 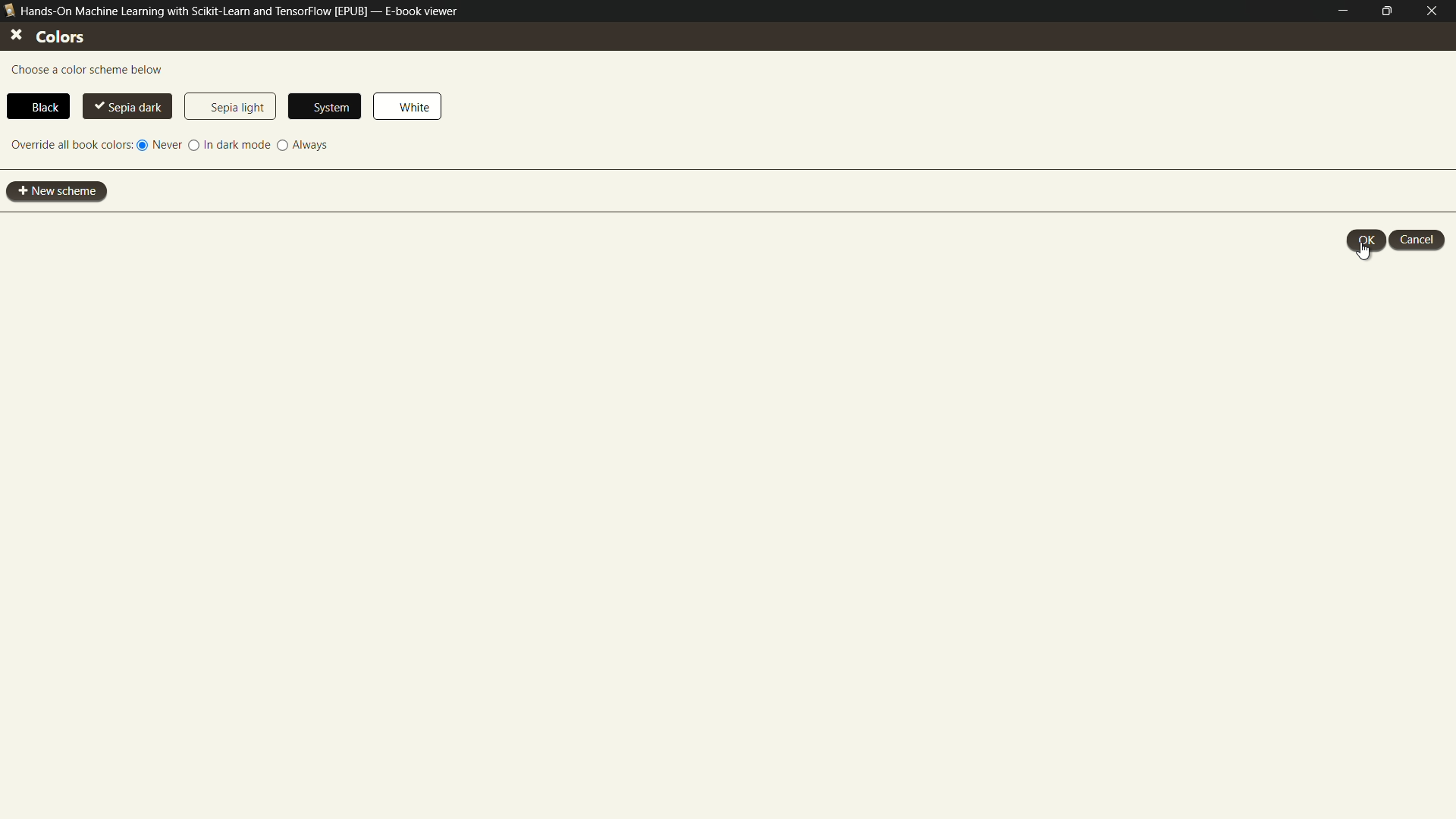 What do you see at coordinates (133, 105) in the screenshot?
I see `sepia dark` at bounding box center [133, 105].